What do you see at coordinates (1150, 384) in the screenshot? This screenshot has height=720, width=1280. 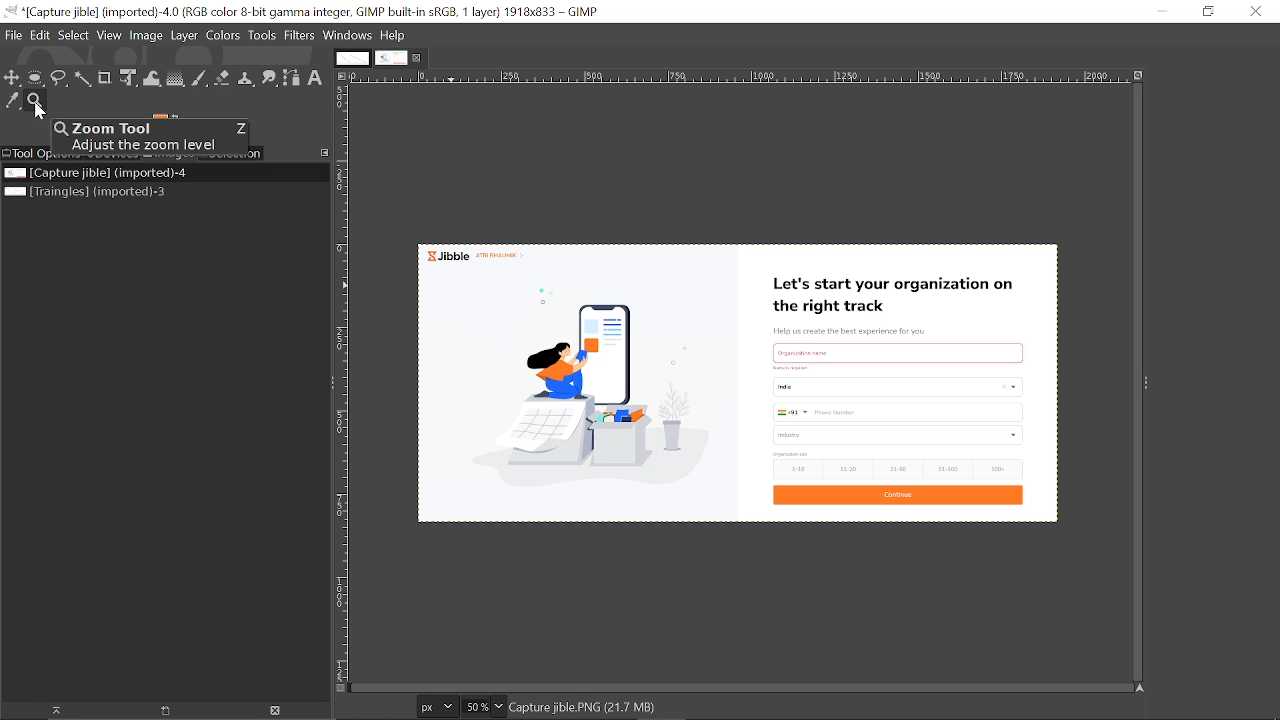 I see `Sidebar menu` at bounding box center [1150, 384].